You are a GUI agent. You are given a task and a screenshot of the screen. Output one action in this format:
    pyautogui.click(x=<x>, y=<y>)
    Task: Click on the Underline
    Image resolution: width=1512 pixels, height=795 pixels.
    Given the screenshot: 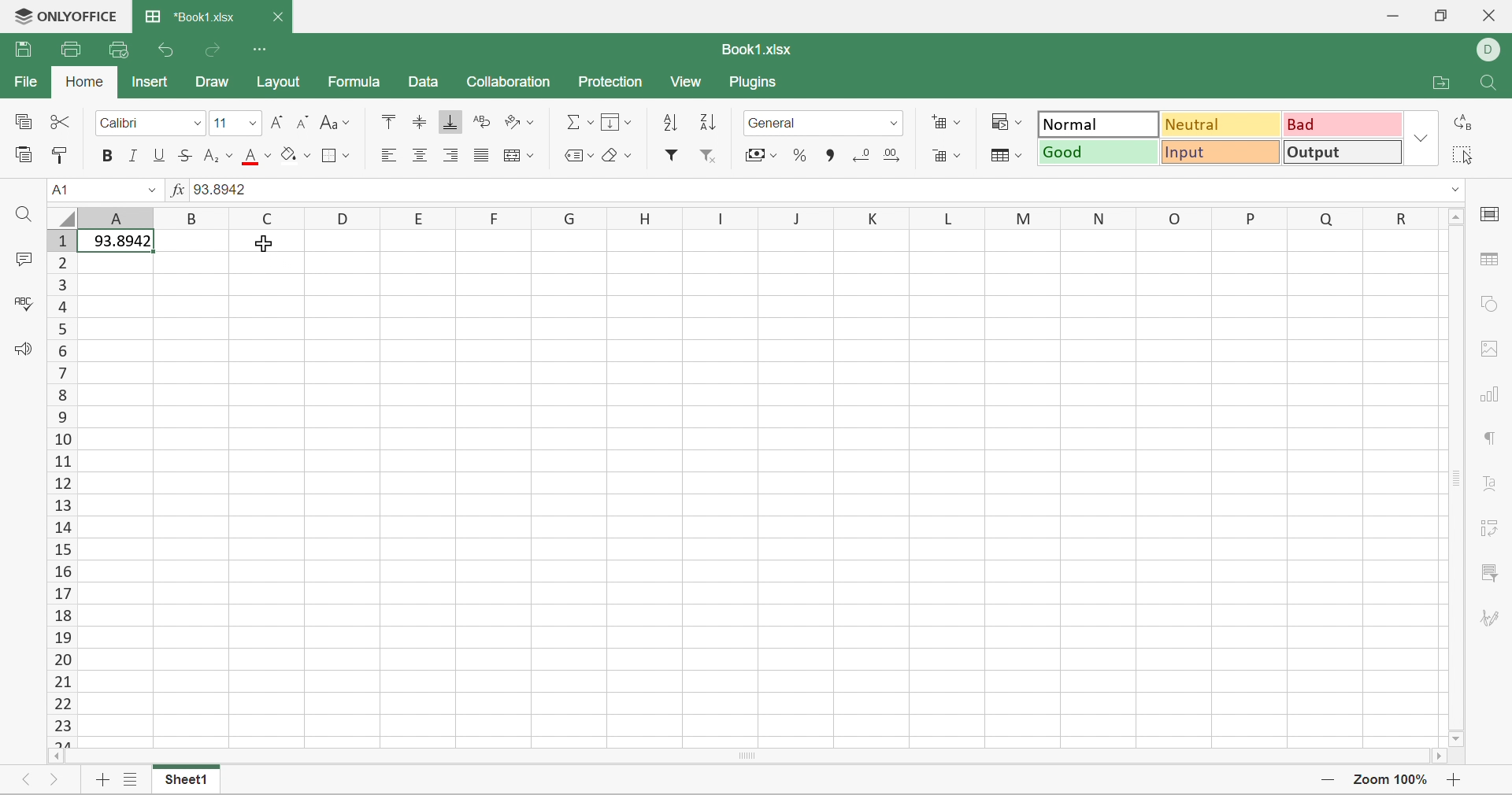 What is the action you would take?
    pyautogui.click(x=160, y=155)
    